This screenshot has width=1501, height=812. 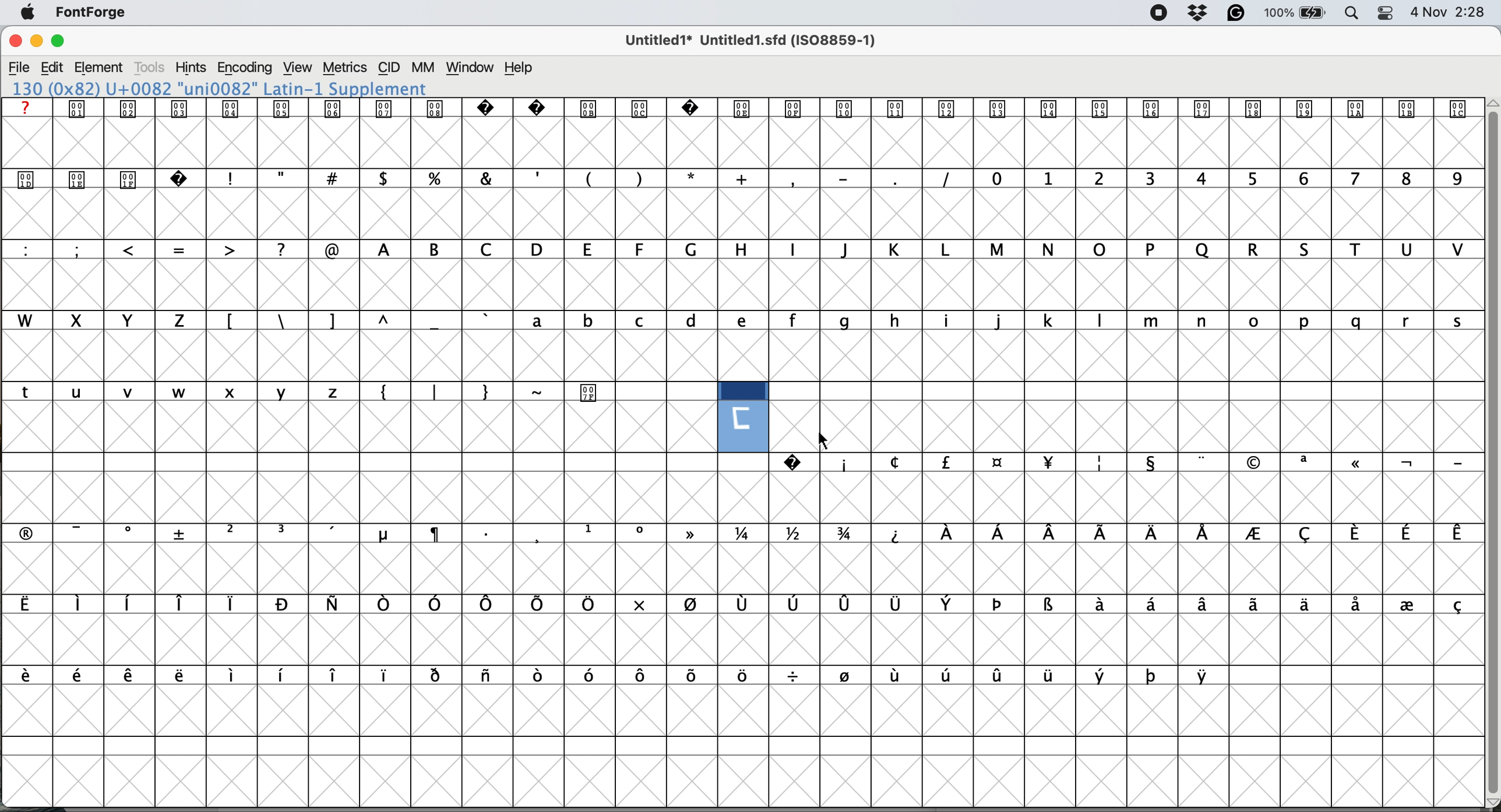 What do you see at coordinates (100, 67) in the screenshot?
I see `element` at bounding box center [100, 67].